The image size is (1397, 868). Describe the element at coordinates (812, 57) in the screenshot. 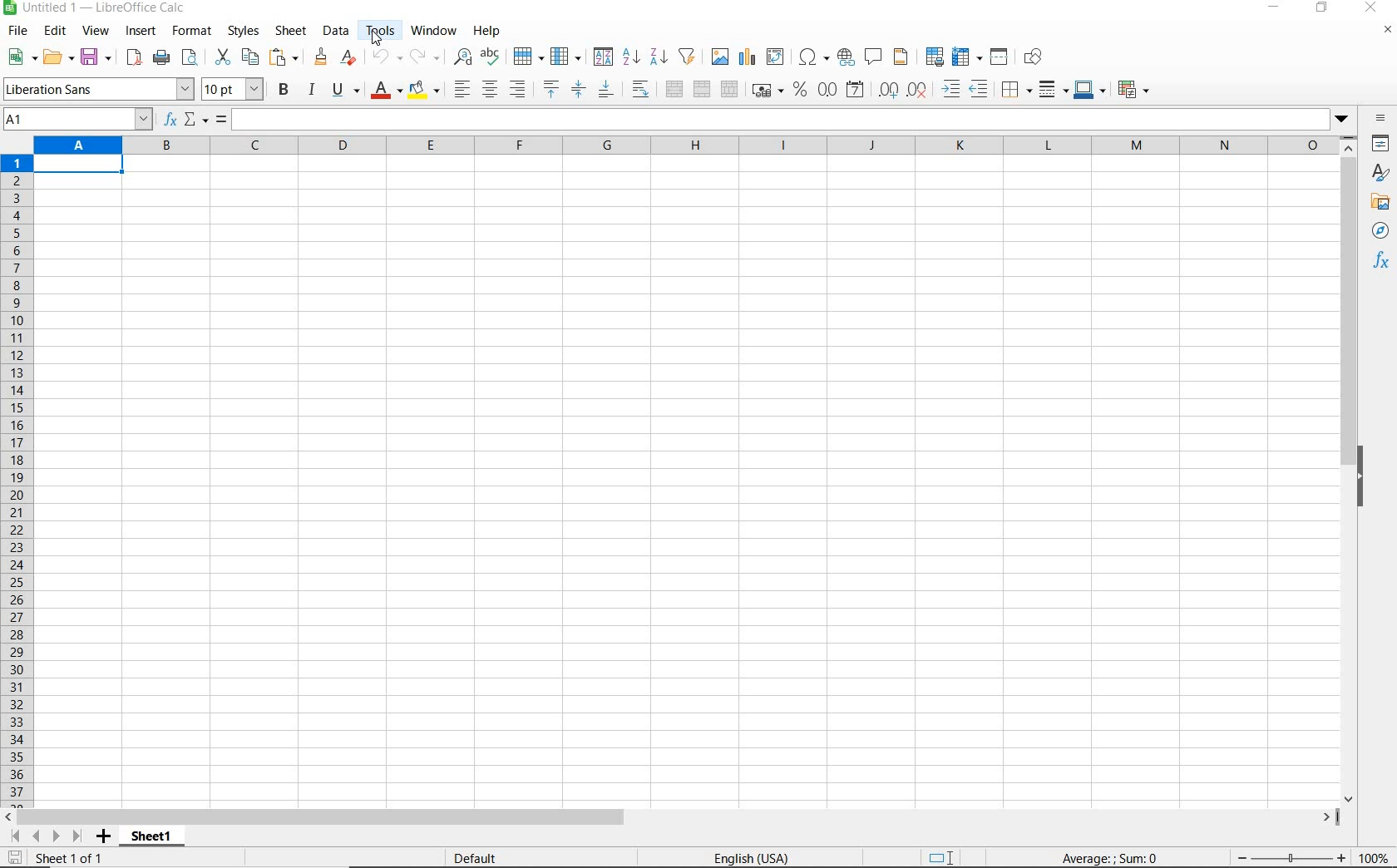

I see `insert special characters` at that location.